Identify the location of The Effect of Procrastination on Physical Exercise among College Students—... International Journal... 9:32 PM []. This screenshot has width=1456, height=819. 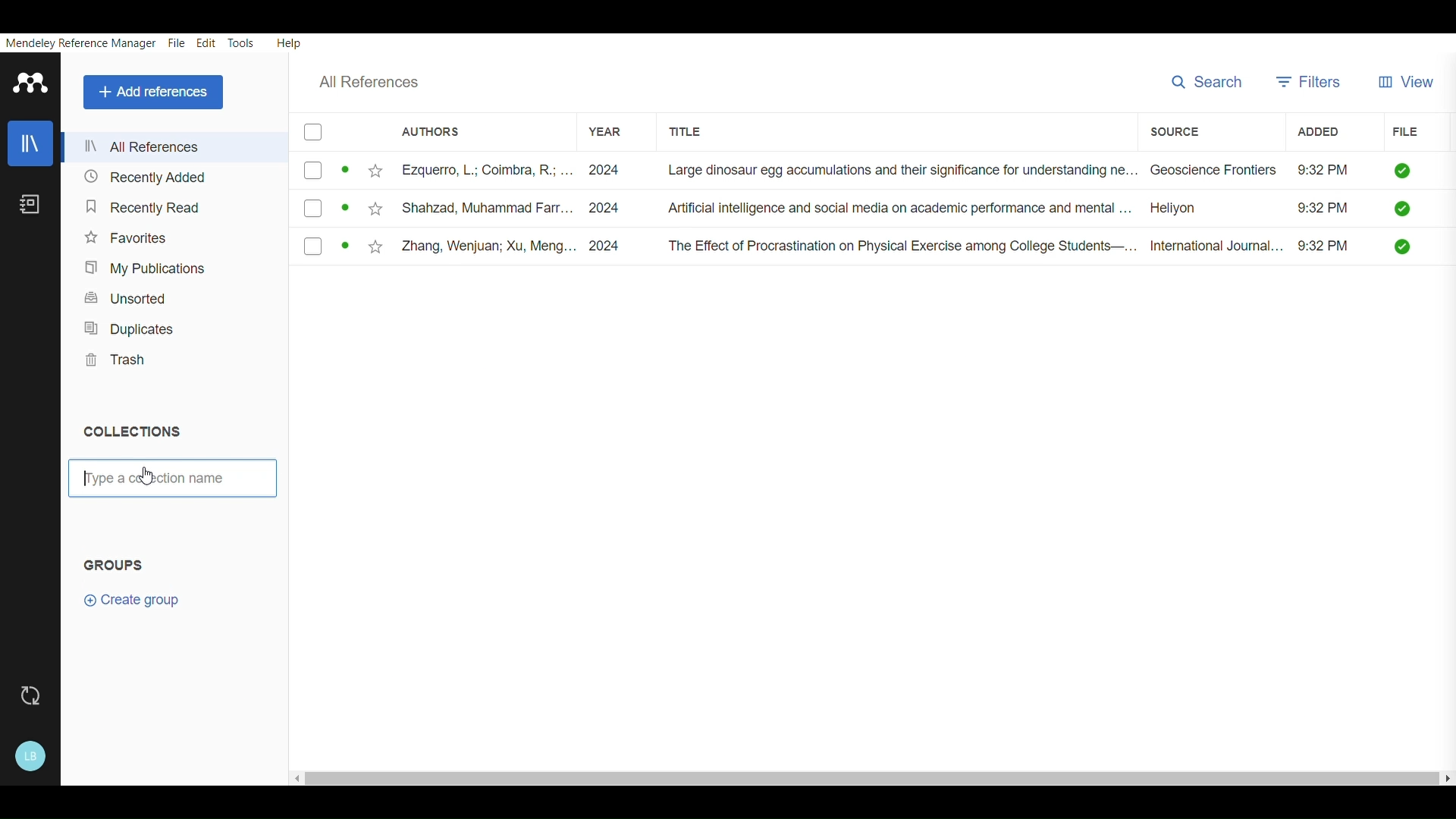
(1040, 246).